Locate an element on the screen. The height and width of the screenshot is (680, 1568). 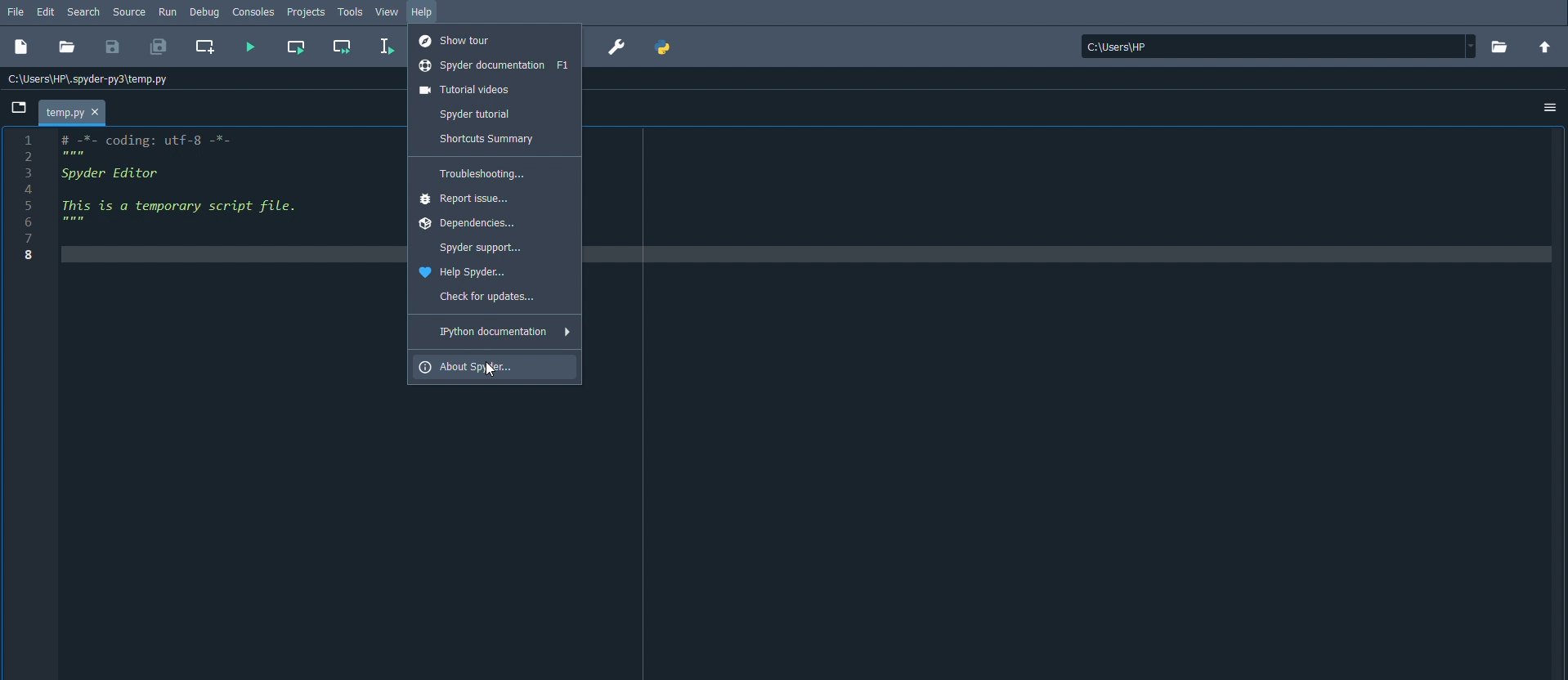
Consoles is located at coordinates (253, 11).